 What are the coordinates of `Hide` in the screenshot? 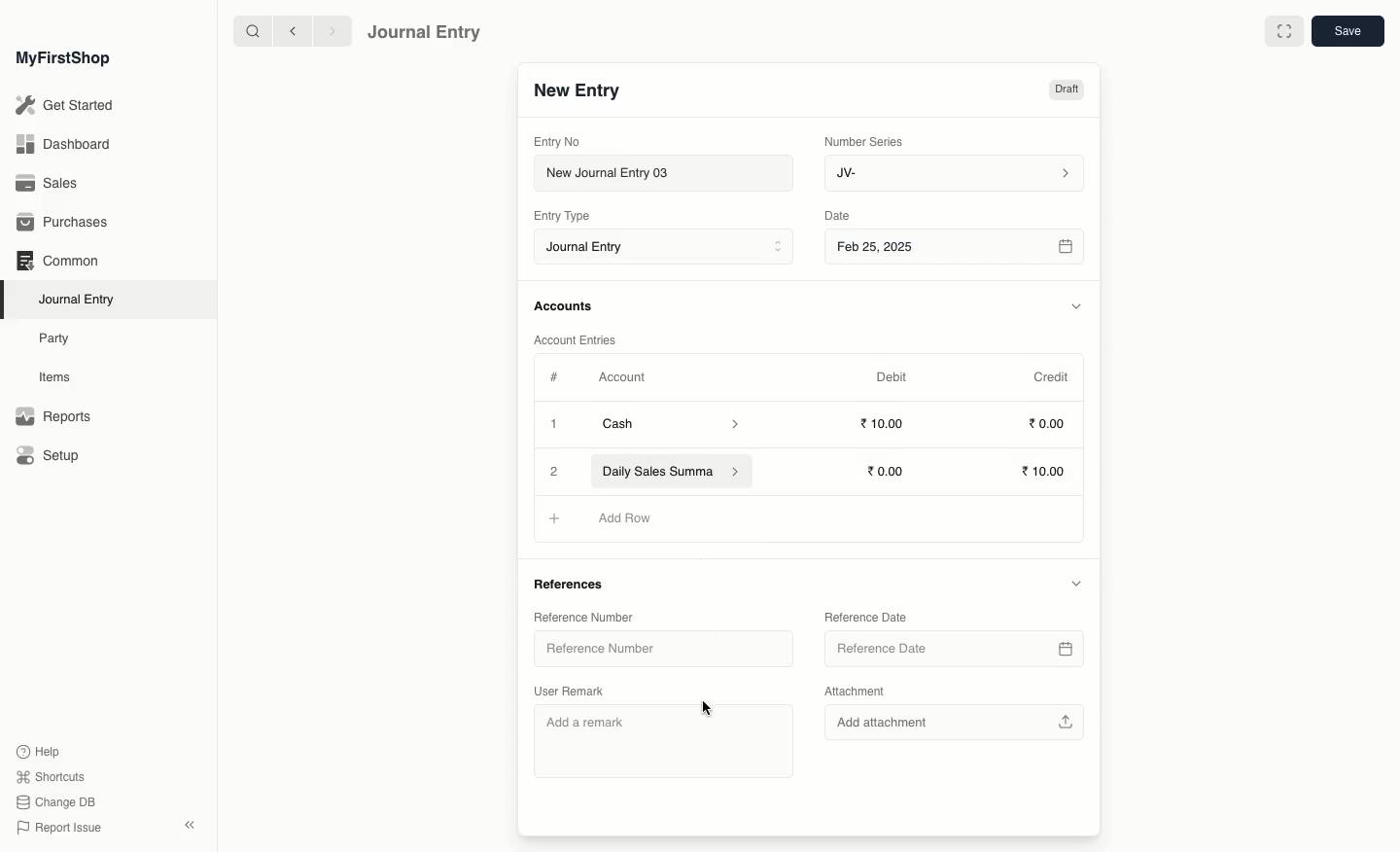 It's located at (1075, 583).